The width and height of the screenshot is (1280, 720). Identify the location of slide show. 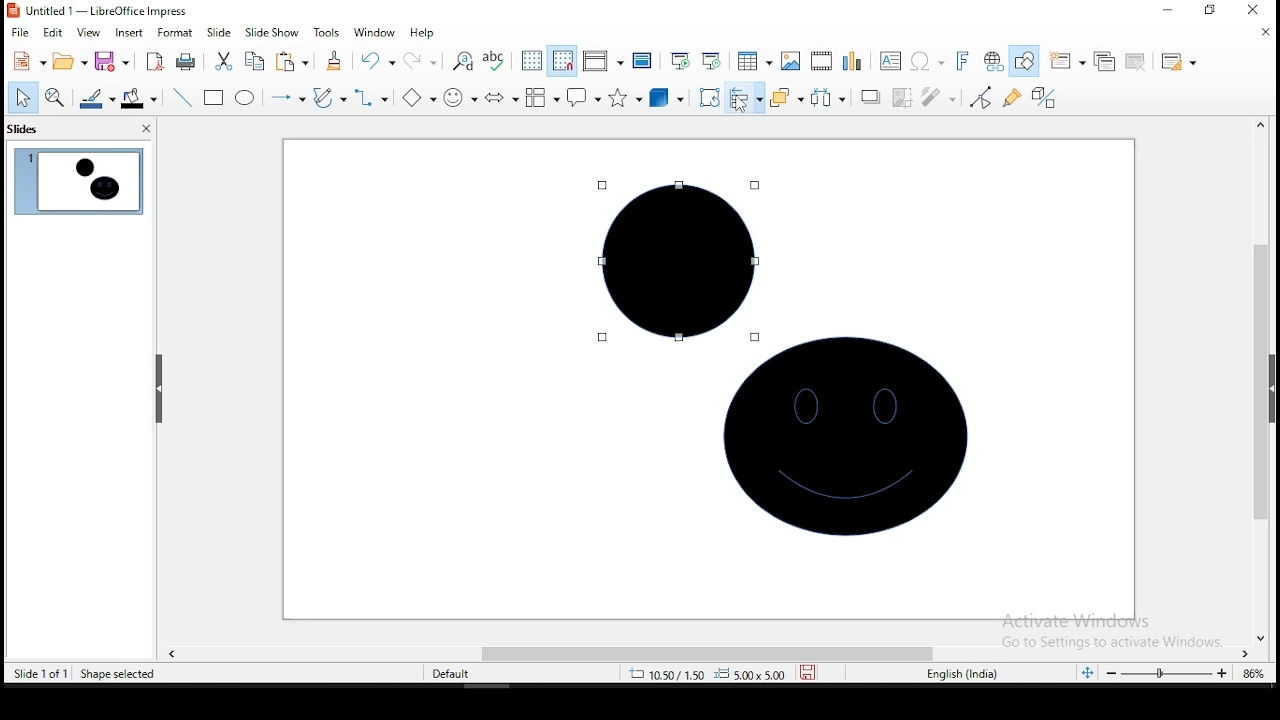
(272, 31).